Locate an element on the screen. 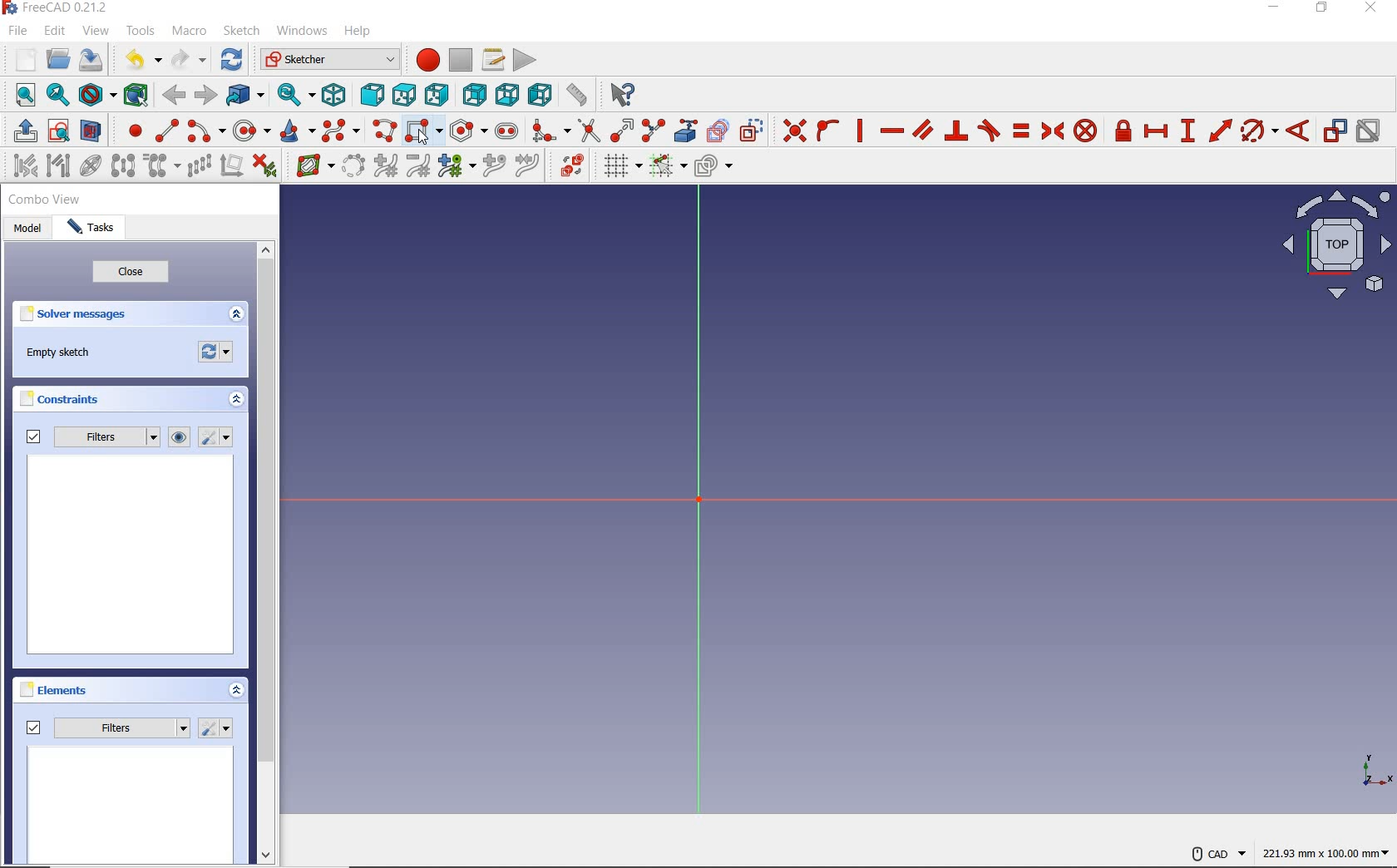 Image resolution: width=1397 pixels, height=868 pixels. constrain equal is located at coordinates (1020, 131).